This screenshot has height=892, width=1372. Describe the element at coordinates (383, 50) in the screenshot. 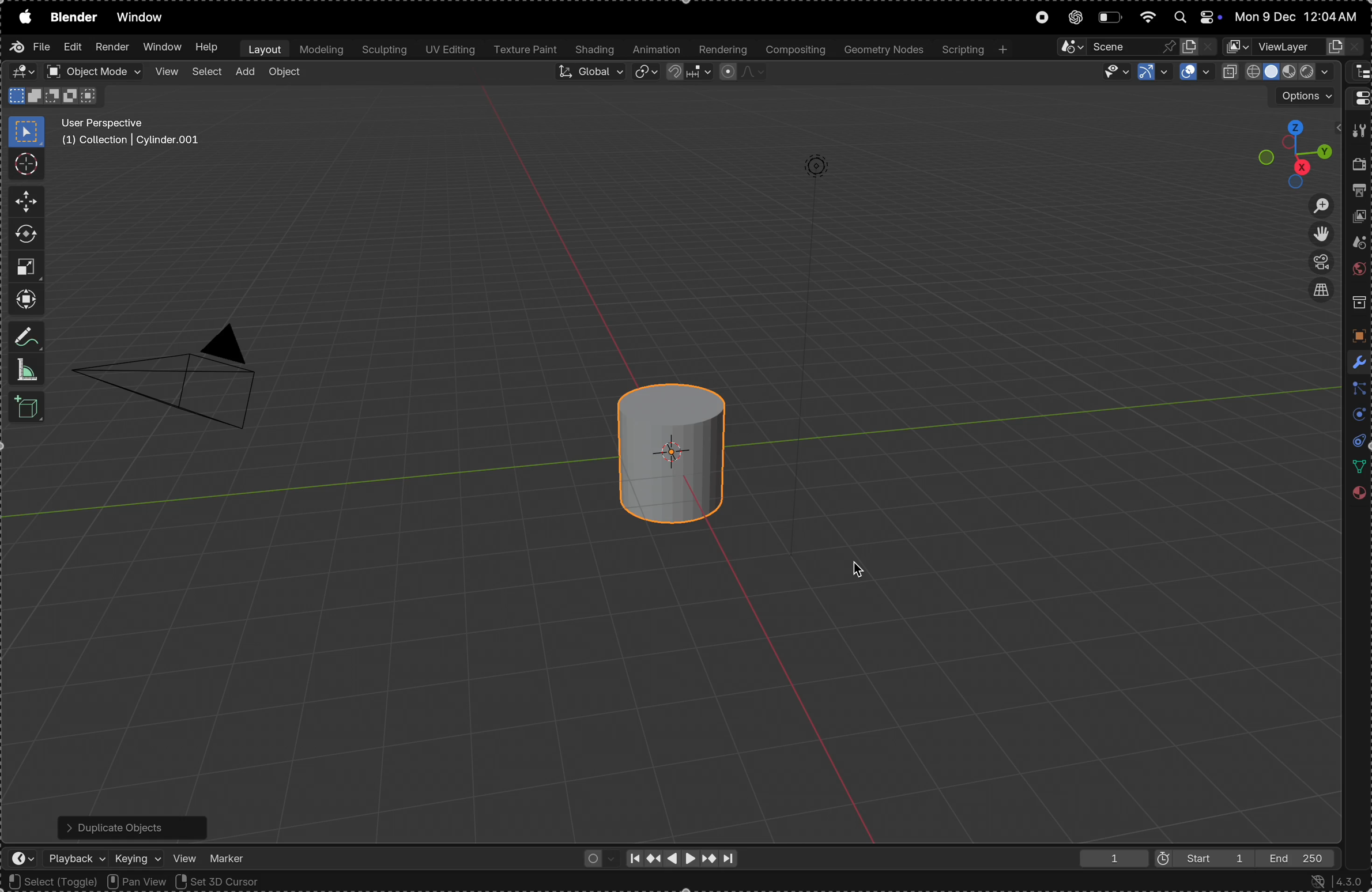

I see `Sculptiing` at that location.